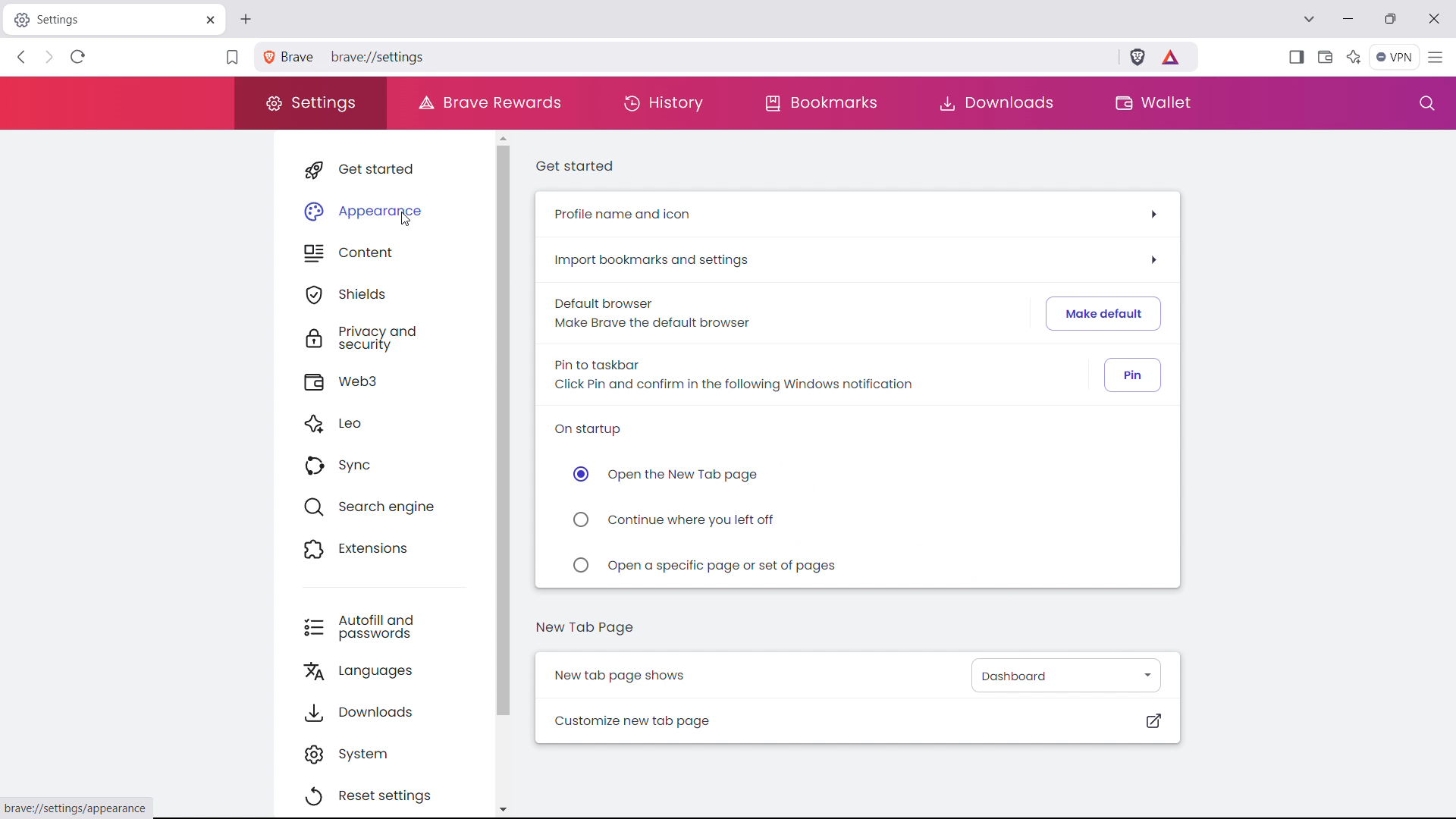  What do you see at coordinates (385, 667) in the screenshot?
I see `languages` at bounding box center [385, 667].